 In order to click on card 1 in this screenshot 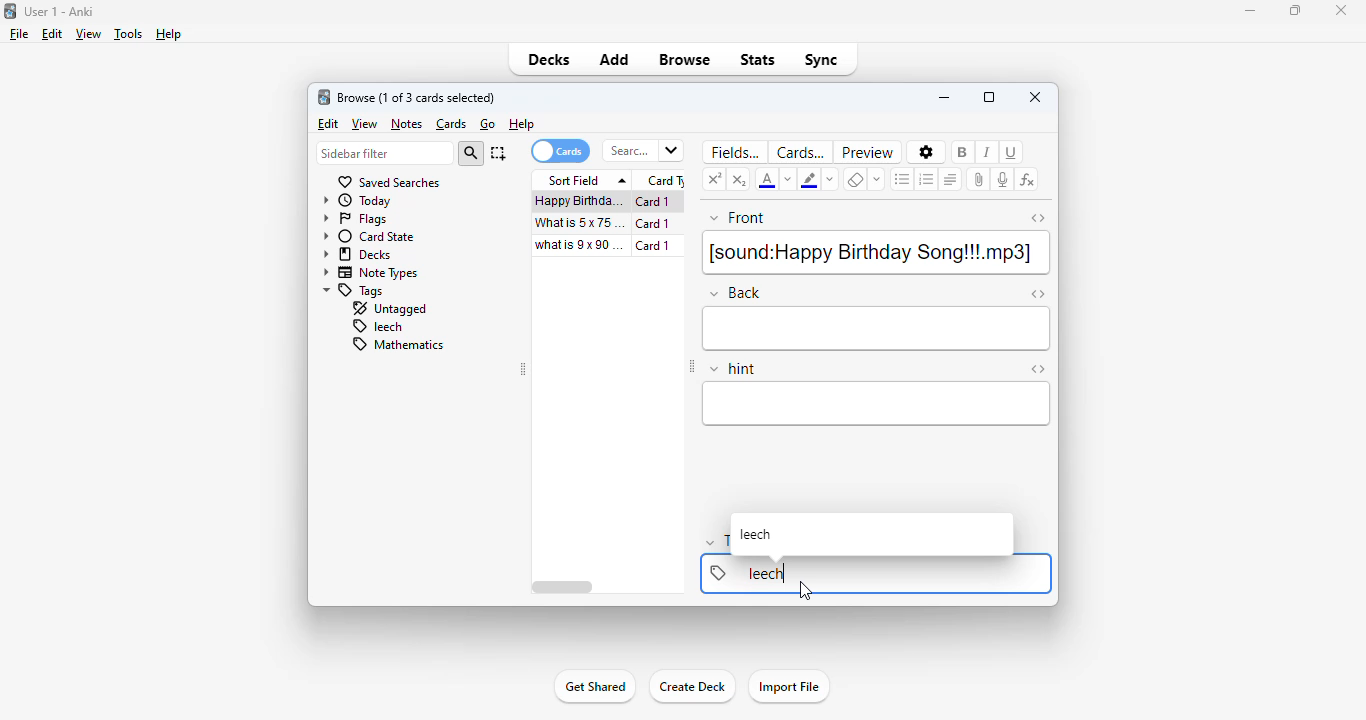, I will do `click(653, 224)`.